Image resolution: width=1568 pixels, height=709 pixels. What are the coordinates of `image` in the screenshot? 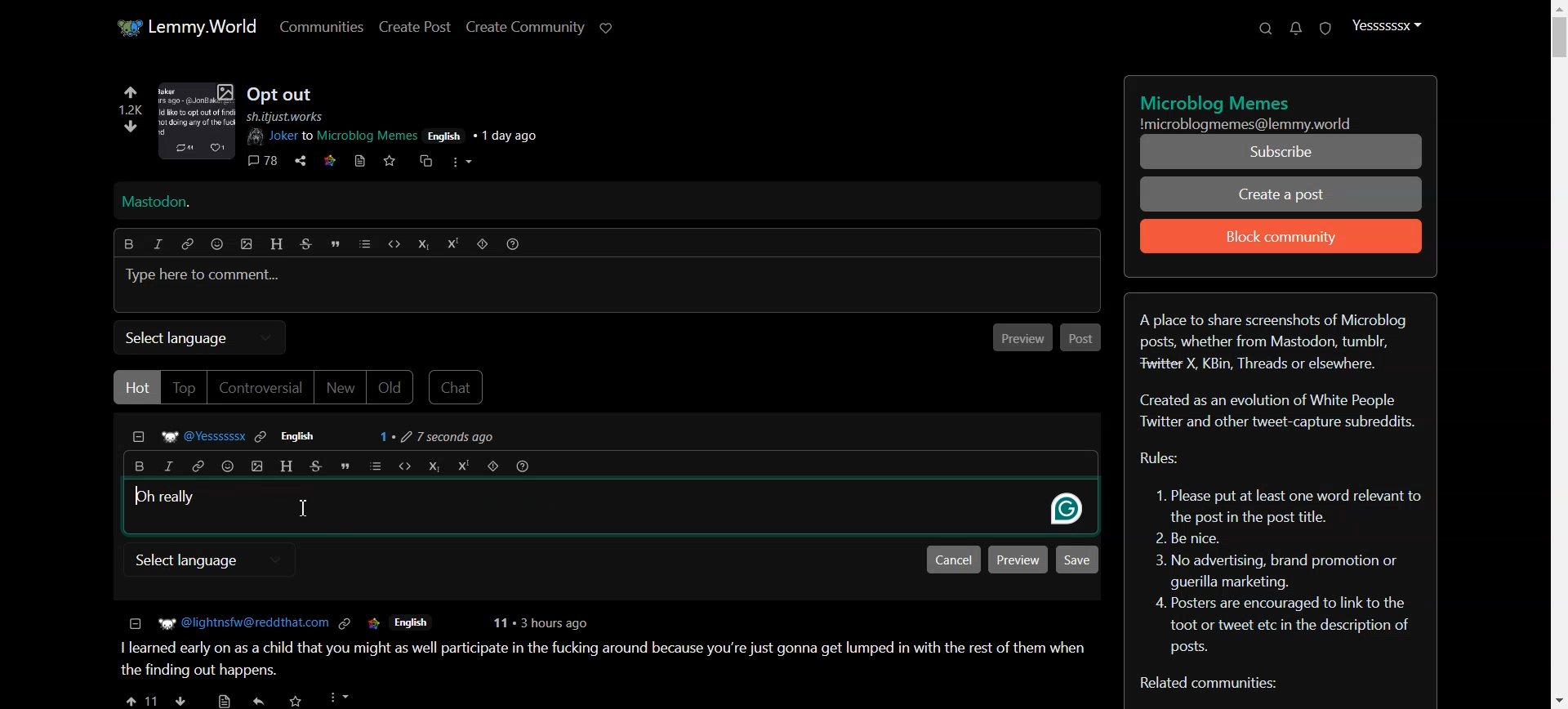 It's located at (198, 123).